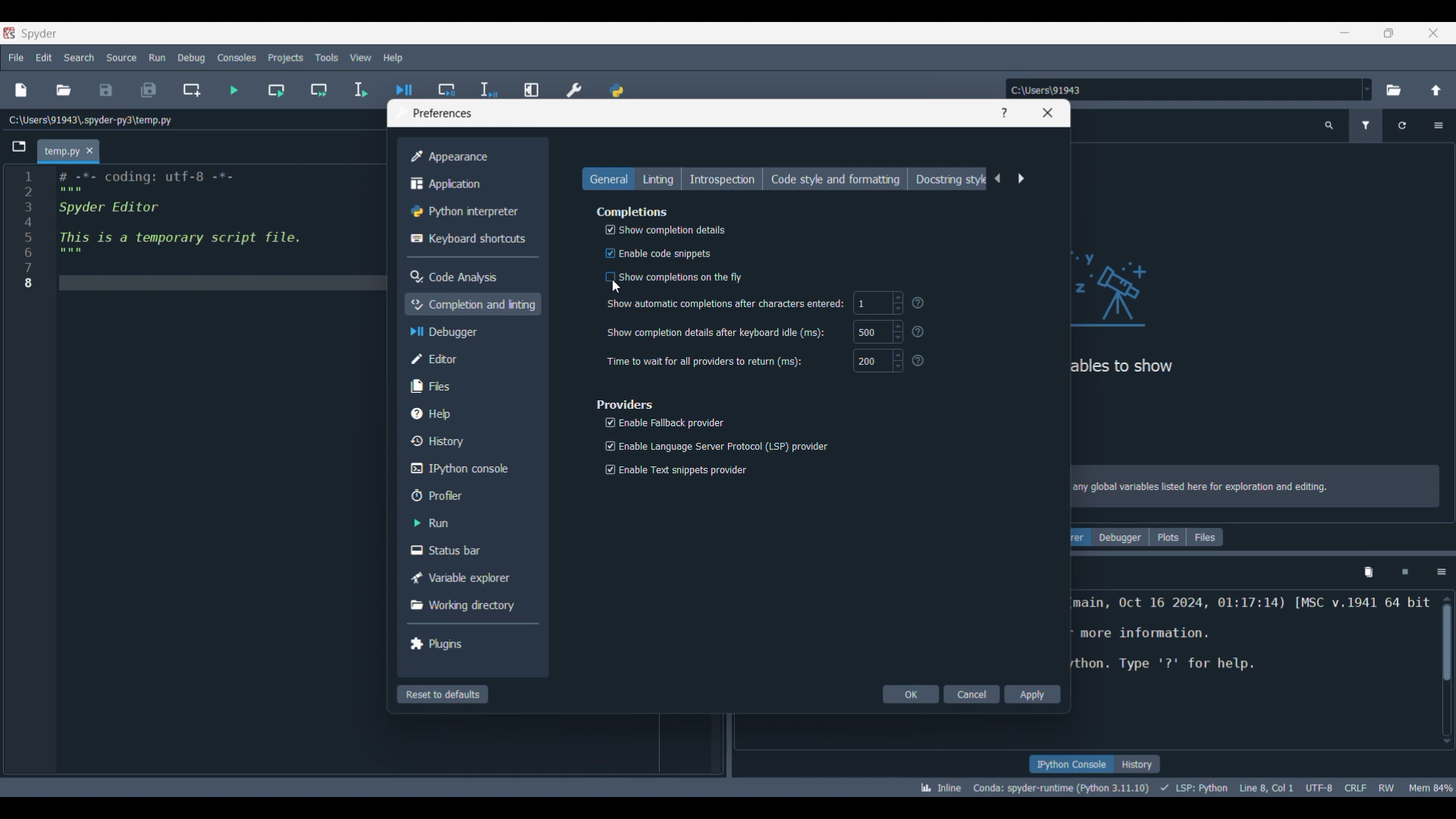  What do you see at coordinates (658, 231) in the screenshot?
I see `Show completion details` at bounding box center [658, 231].